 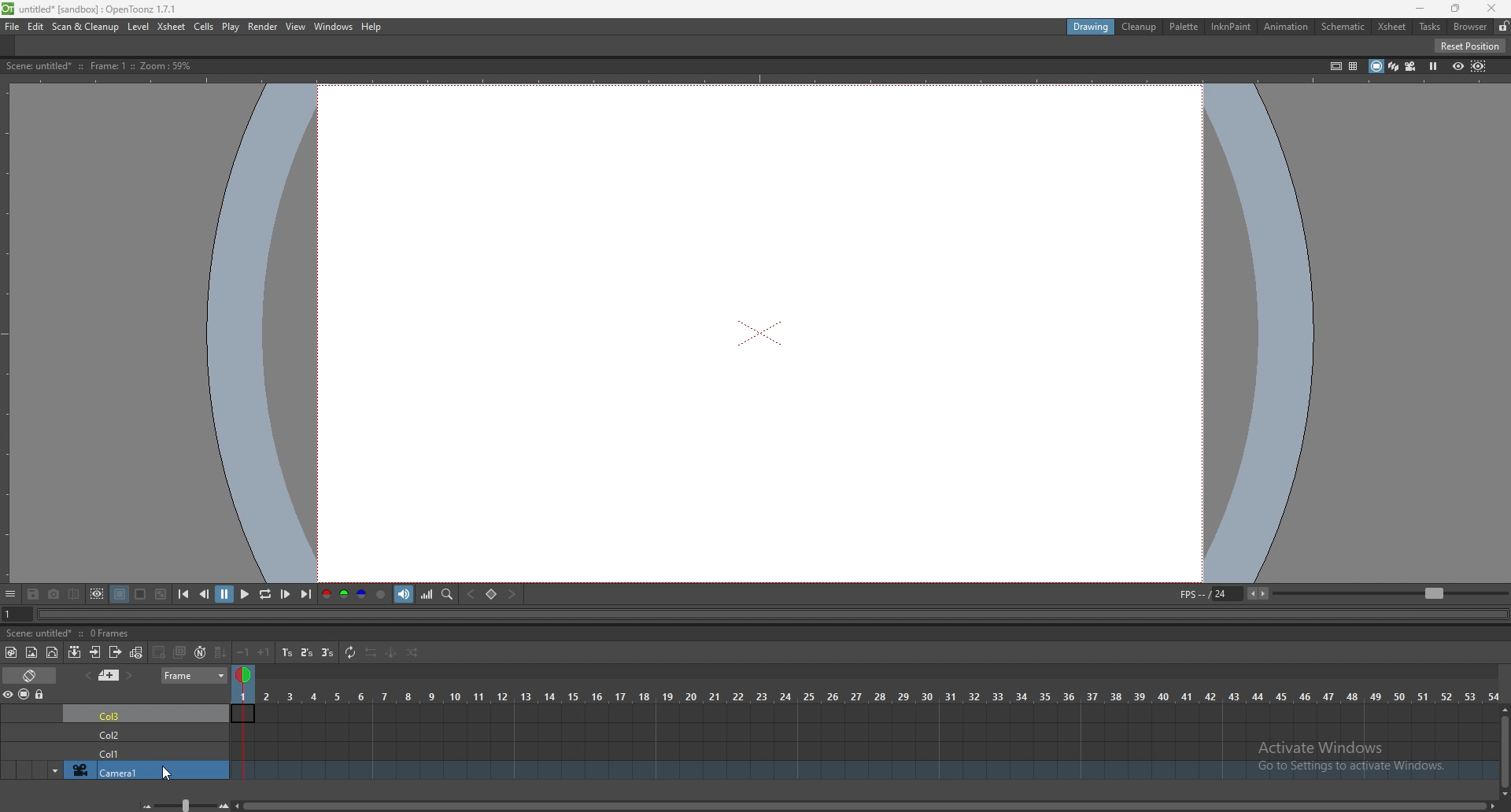 What do you see at coordinates (287, 652) in the screenshot?
I see `reframe on 1s` at bounding box center [287, 652].